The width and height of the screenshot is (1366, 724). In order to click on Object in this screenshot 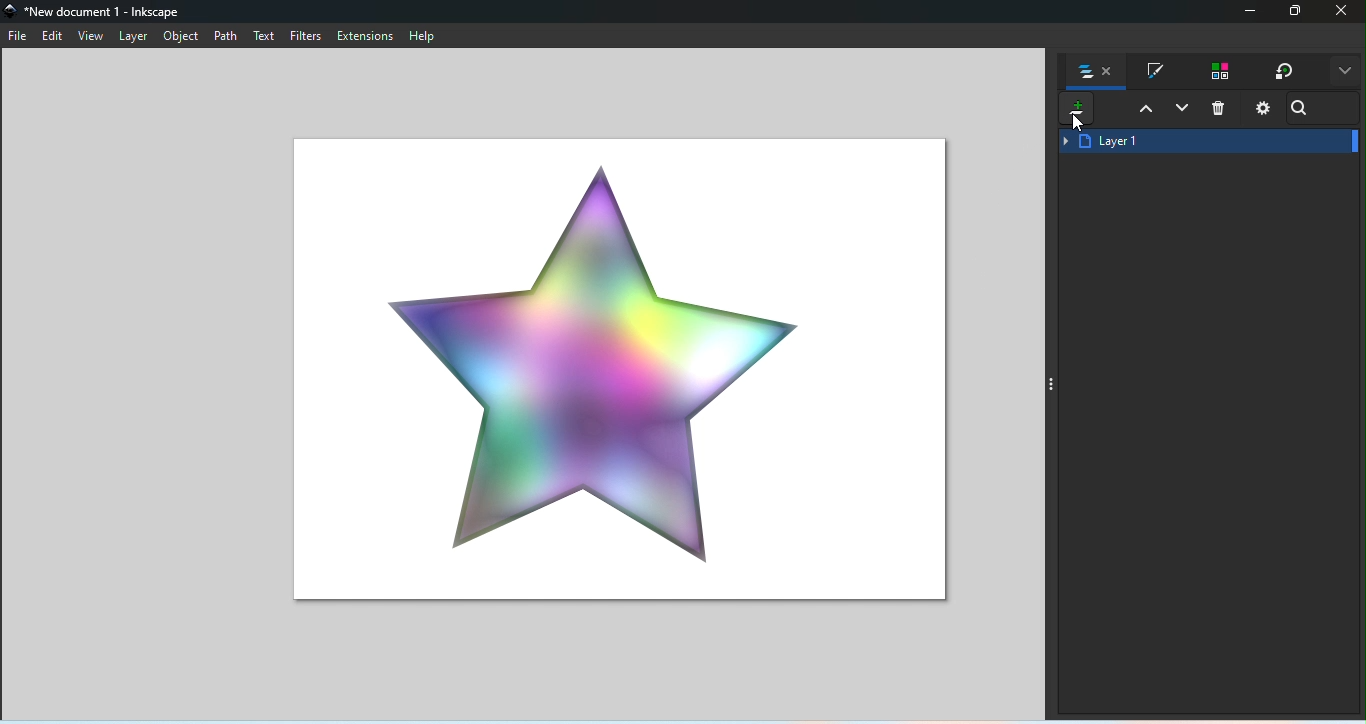, I will do `click(184, 38)`.